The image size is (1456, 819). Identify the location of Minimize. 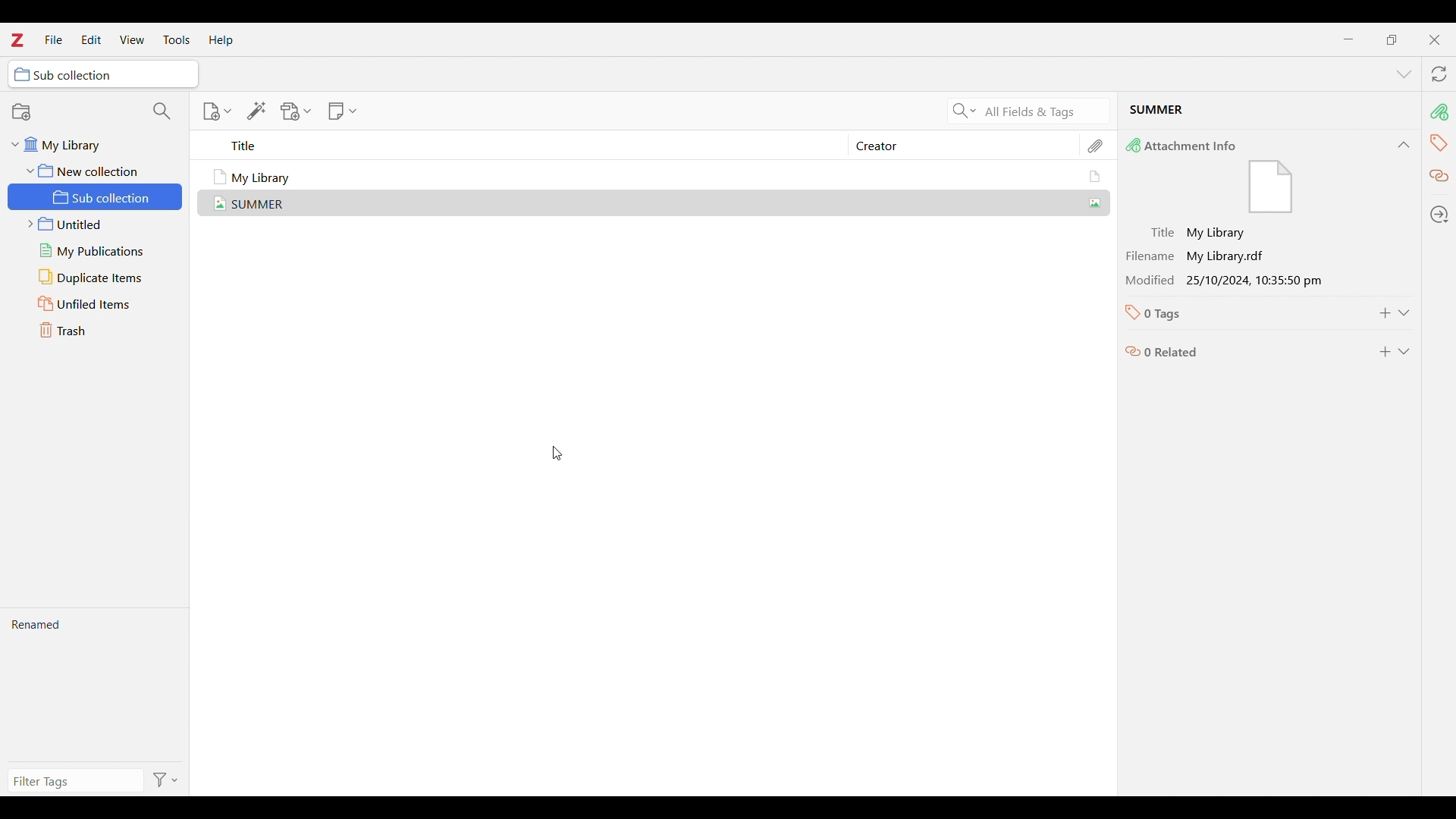
(1348, 39).